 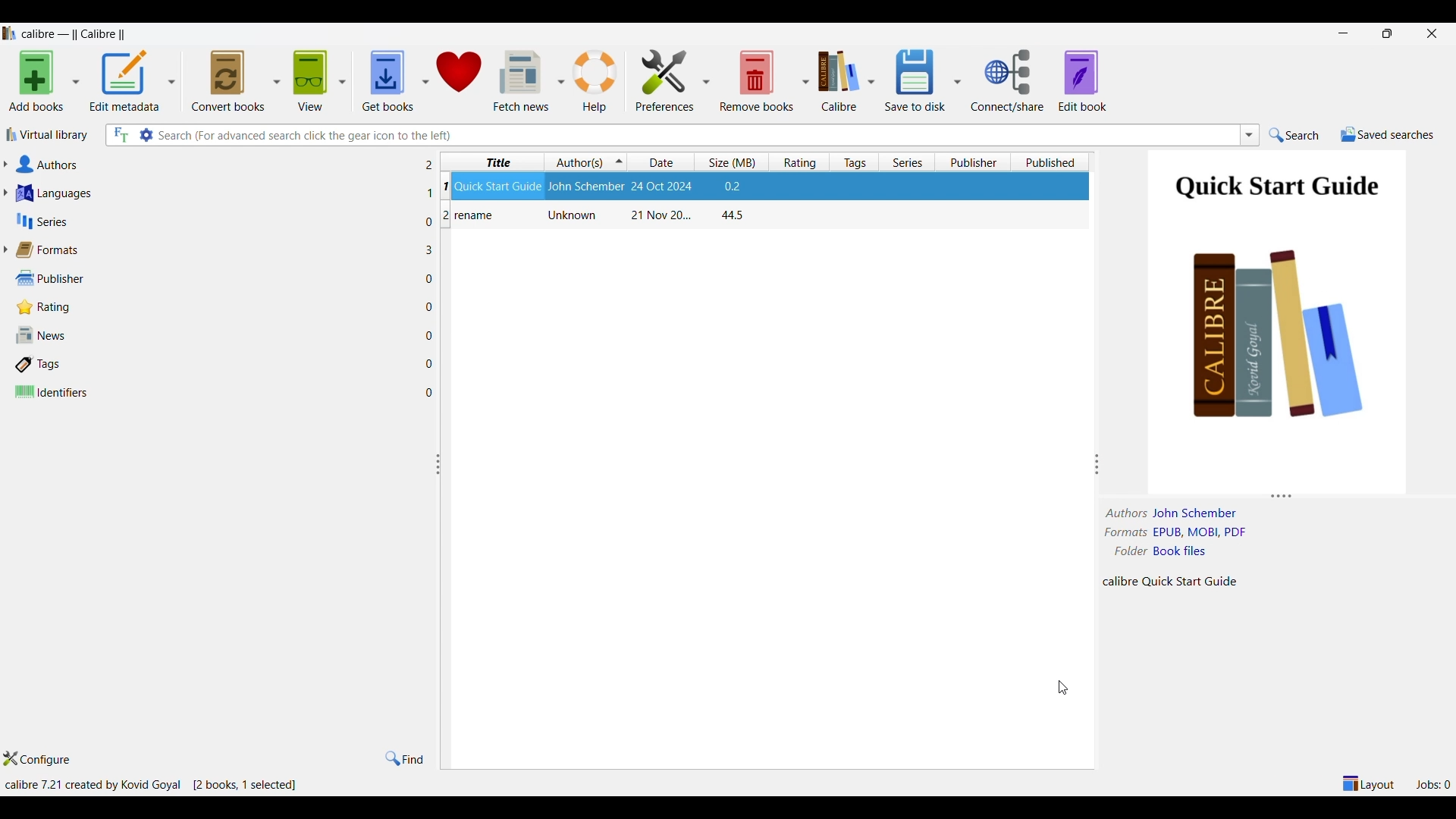 I want to click on Authors, so click(x=213, y=164).